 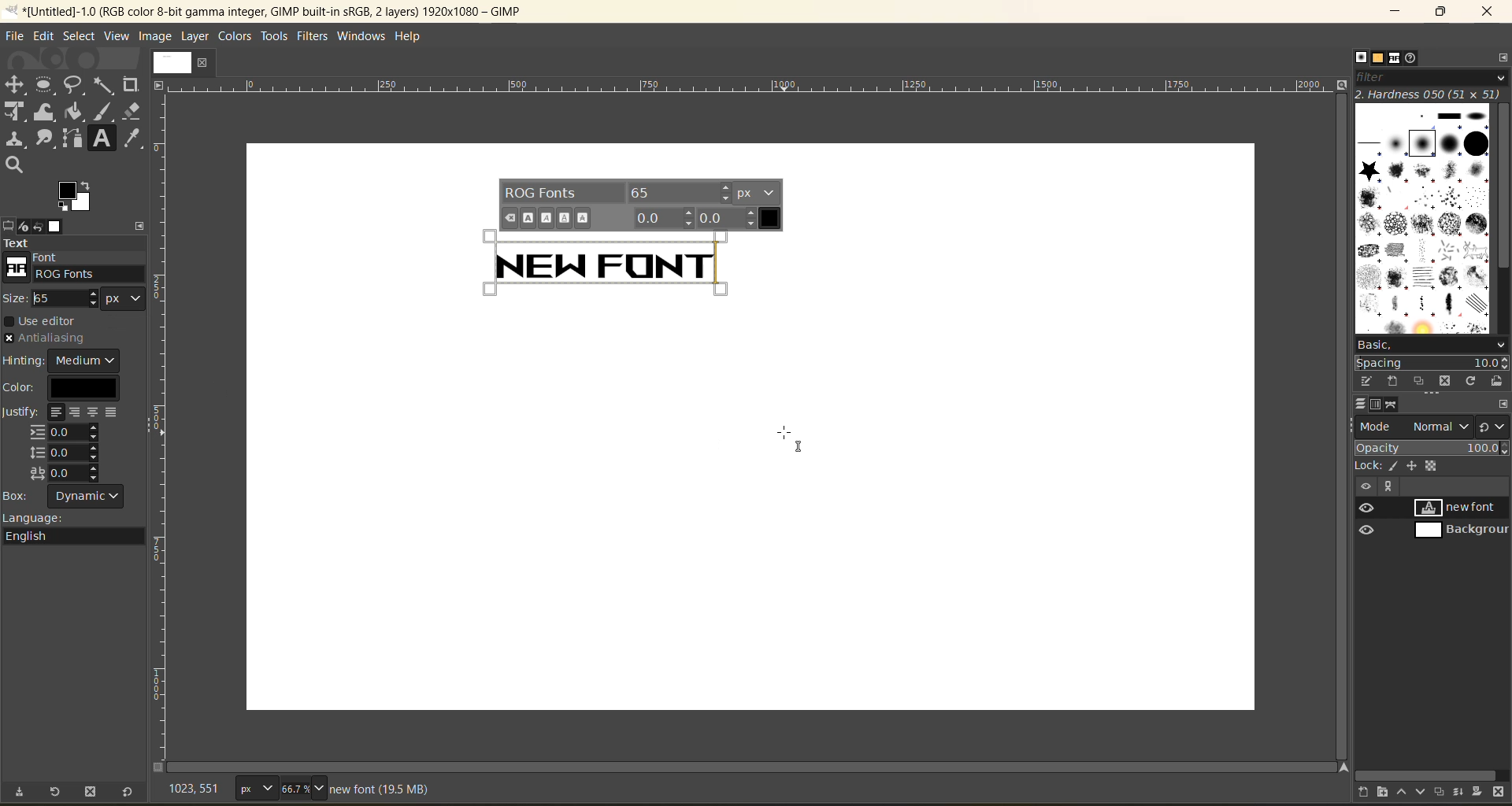 What do you see at coordinates (1432, 447) in the screenshot?
I see `opacity` at bounding box center [1432, 447].